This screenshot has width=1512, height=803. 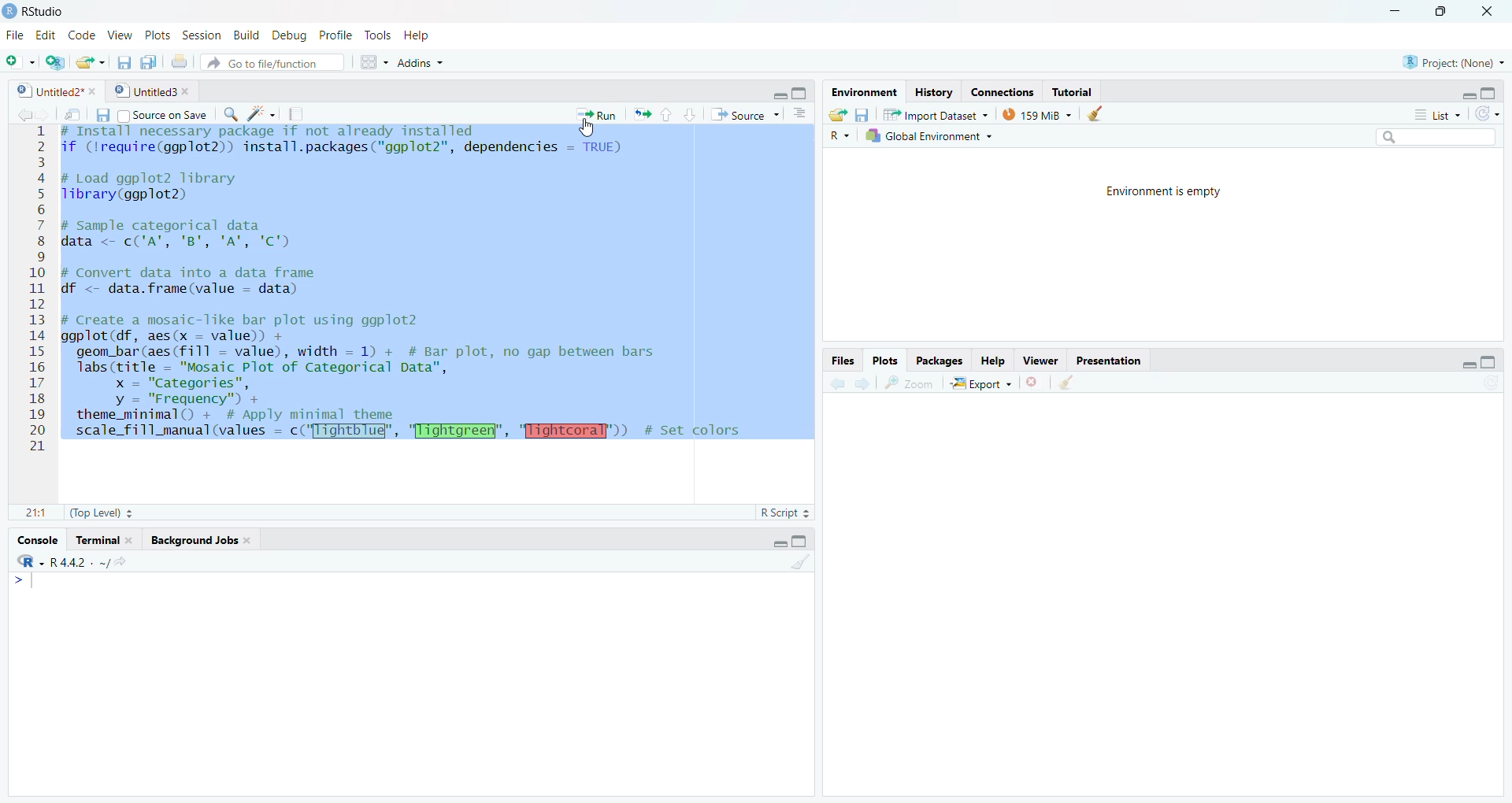 I want to click on Edit, so click(x=47, y=35).